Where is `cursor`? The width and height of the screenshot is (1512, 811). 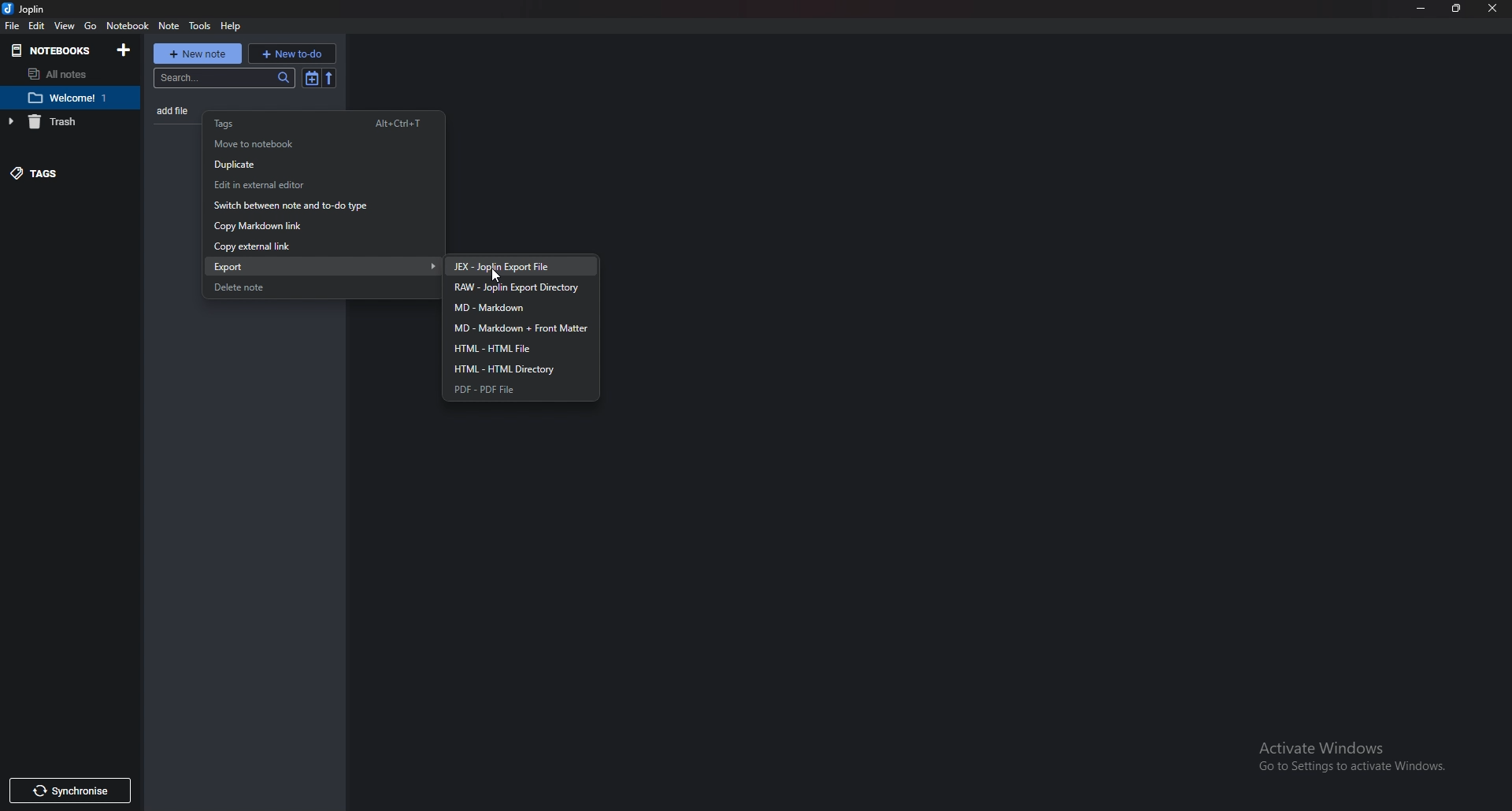 cursor is located at coordinates (501, 272).